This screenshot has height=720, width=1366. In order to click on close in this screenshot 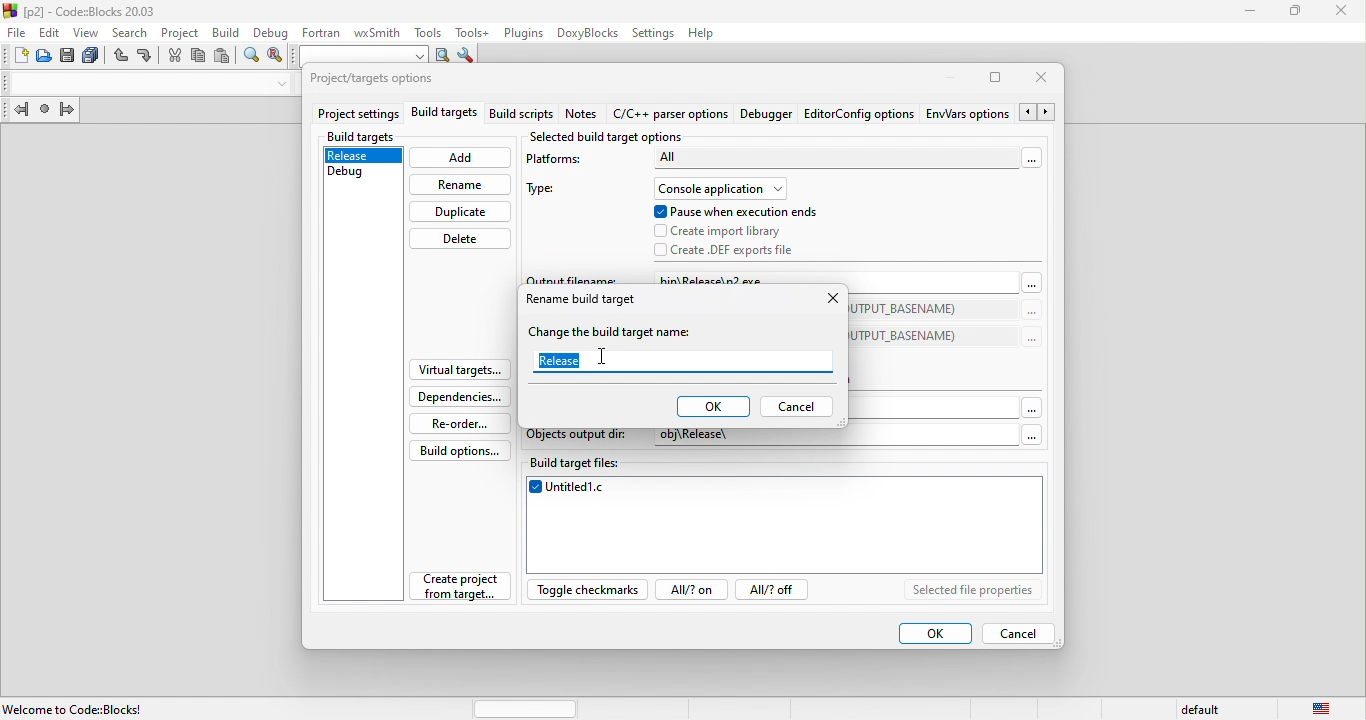, I will do `click(1047, 79)`.